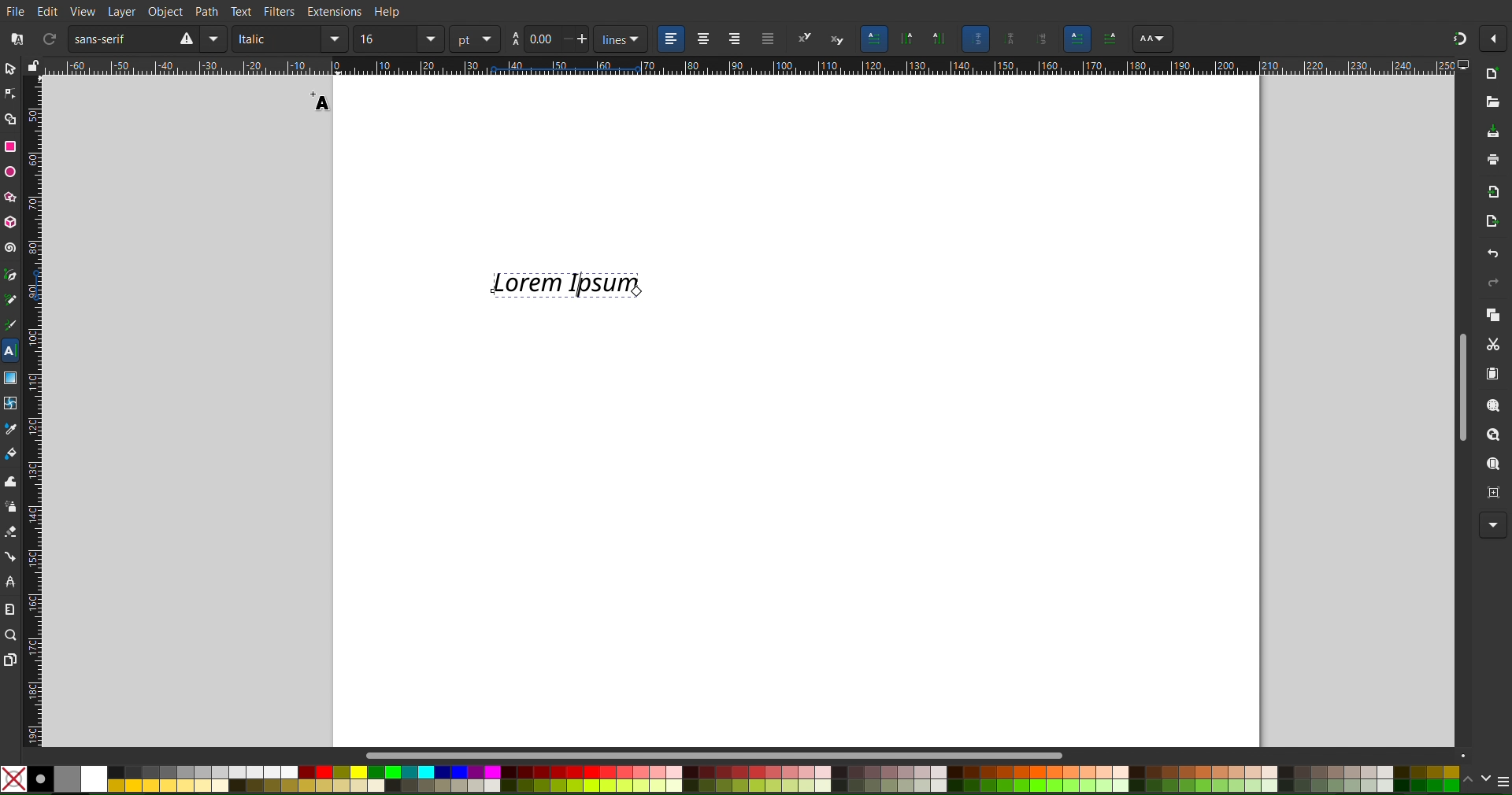  I want to click on Upright glyph orientation, so click(1014, 41).